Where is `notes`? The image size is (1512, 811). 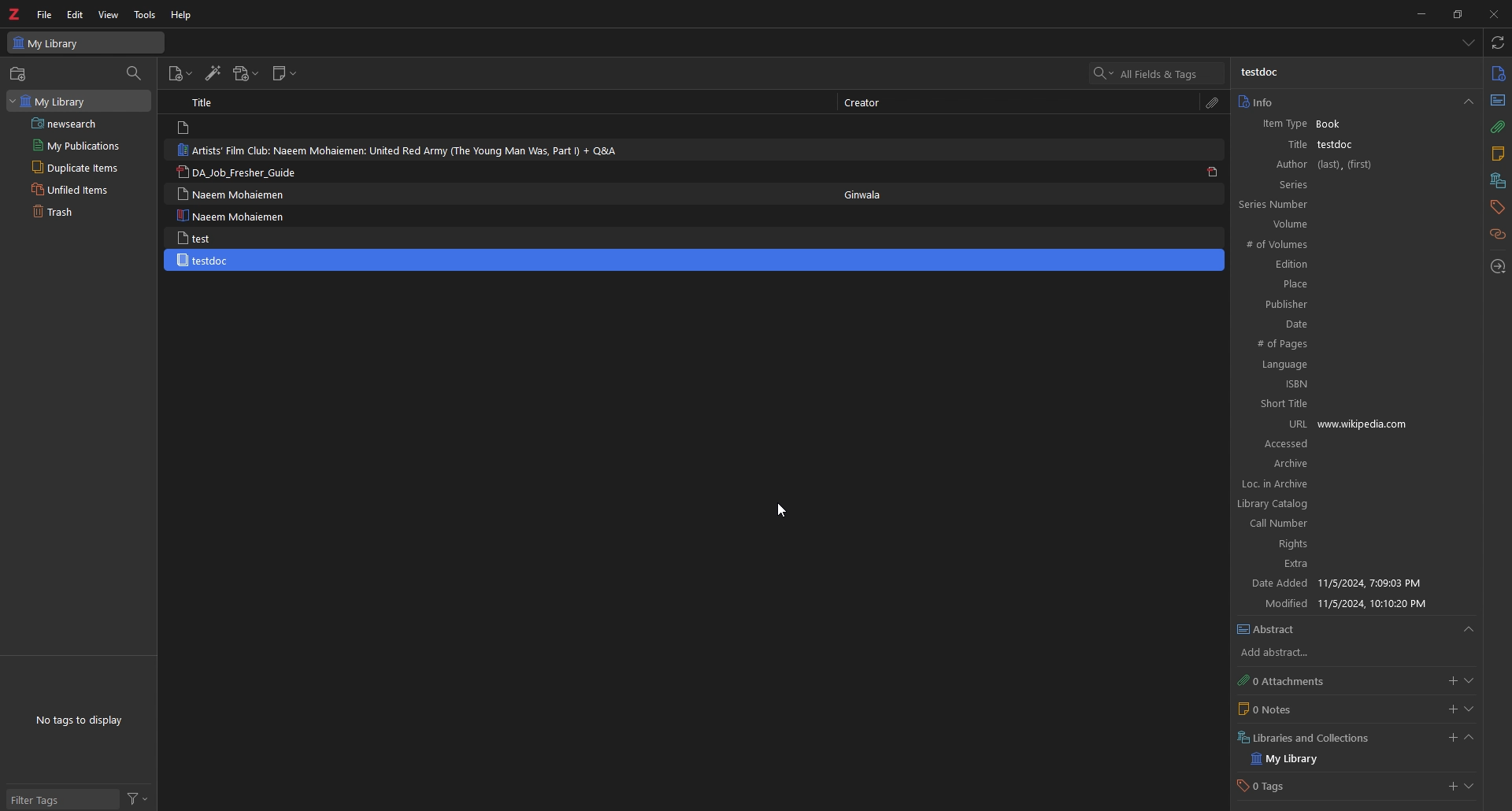
notes is located at coordinates (1497, 154).